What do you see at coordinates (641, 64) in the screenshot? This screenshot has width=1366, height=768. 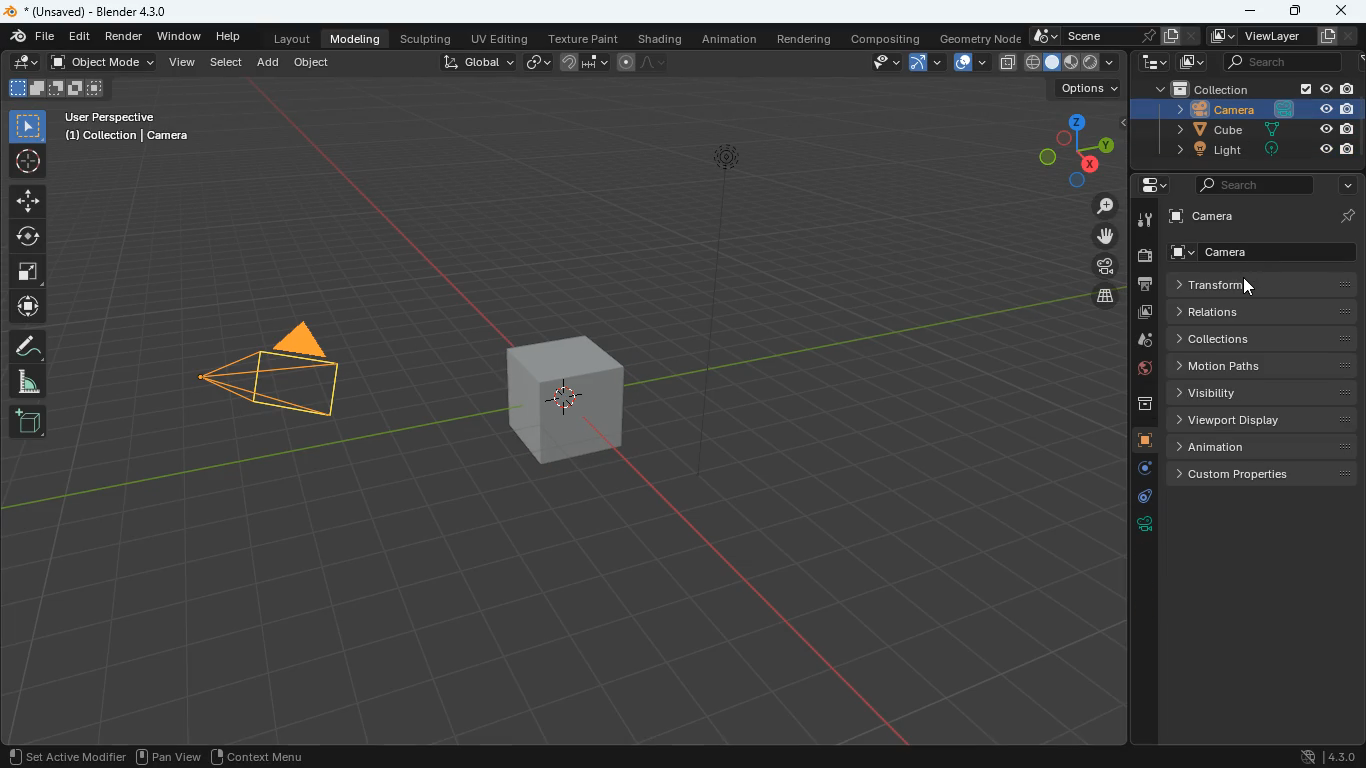 I see `draw` at bounding box center [641, 64].